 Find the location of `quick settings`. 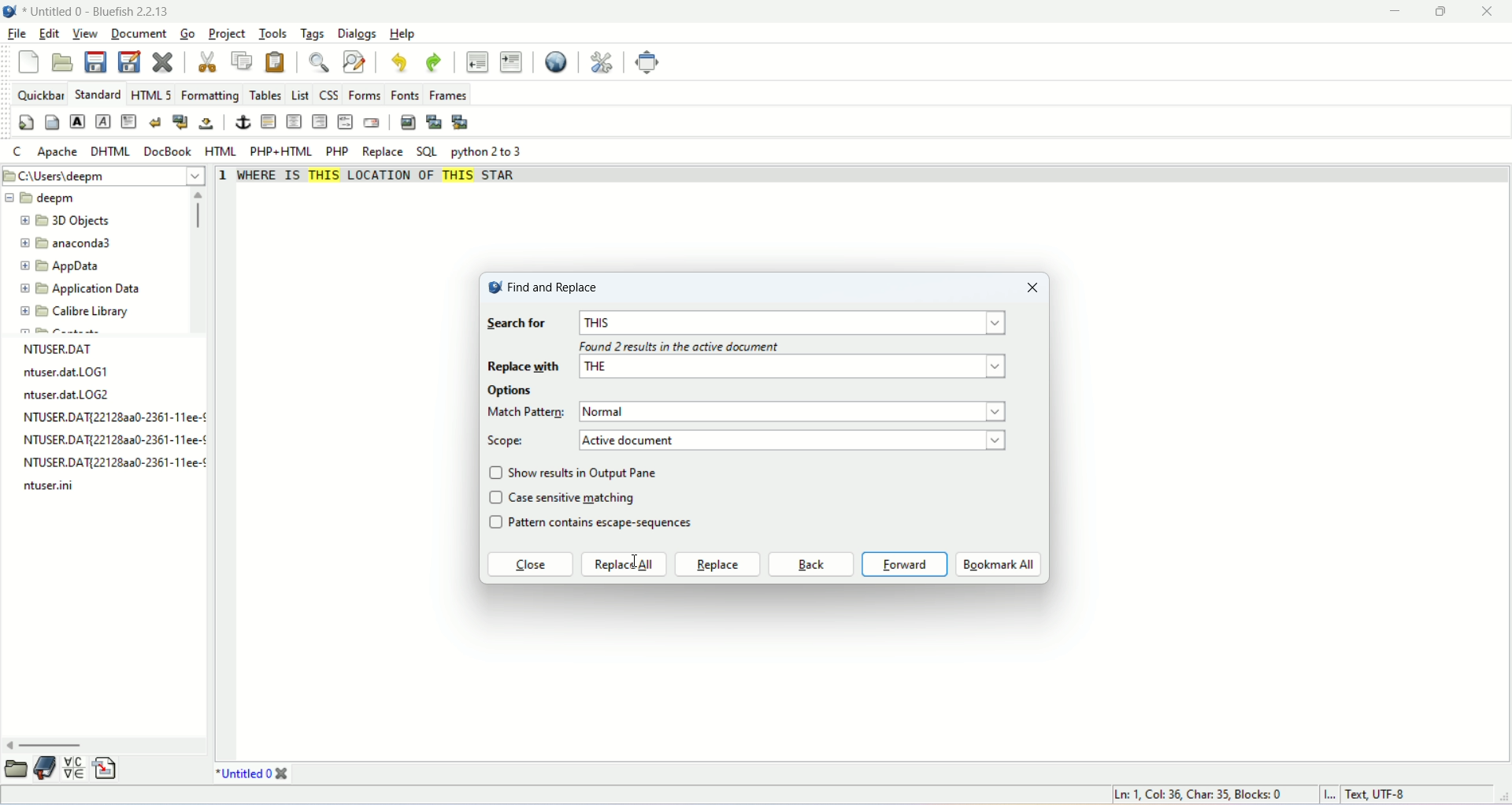

quick settings is located at coordinates (26, 123).